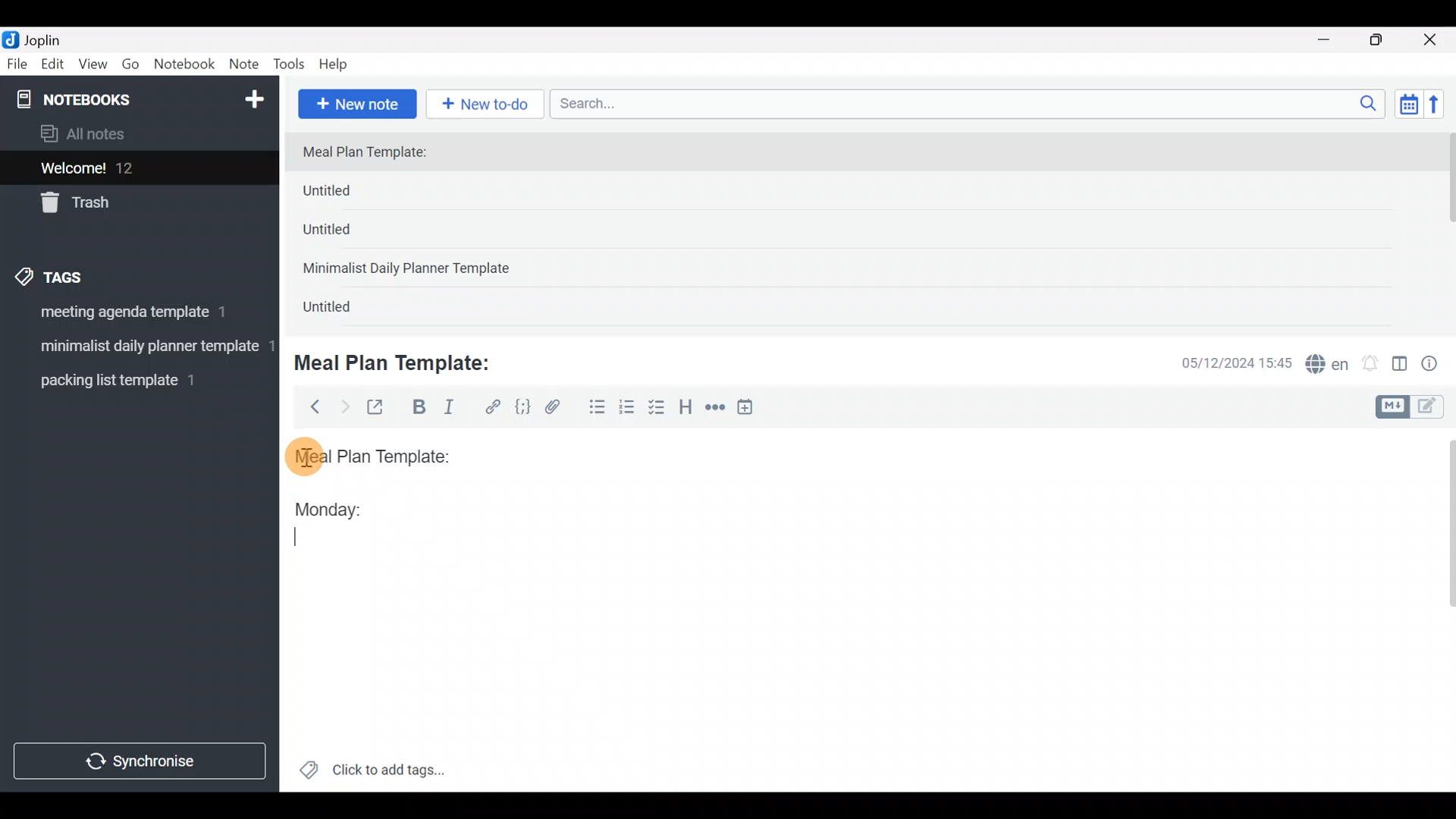 The height and width of the screenshot is (819, 1456). Describe the element at coordinates (134, 380) in the screenshot. I see `Tag 3` at that location.